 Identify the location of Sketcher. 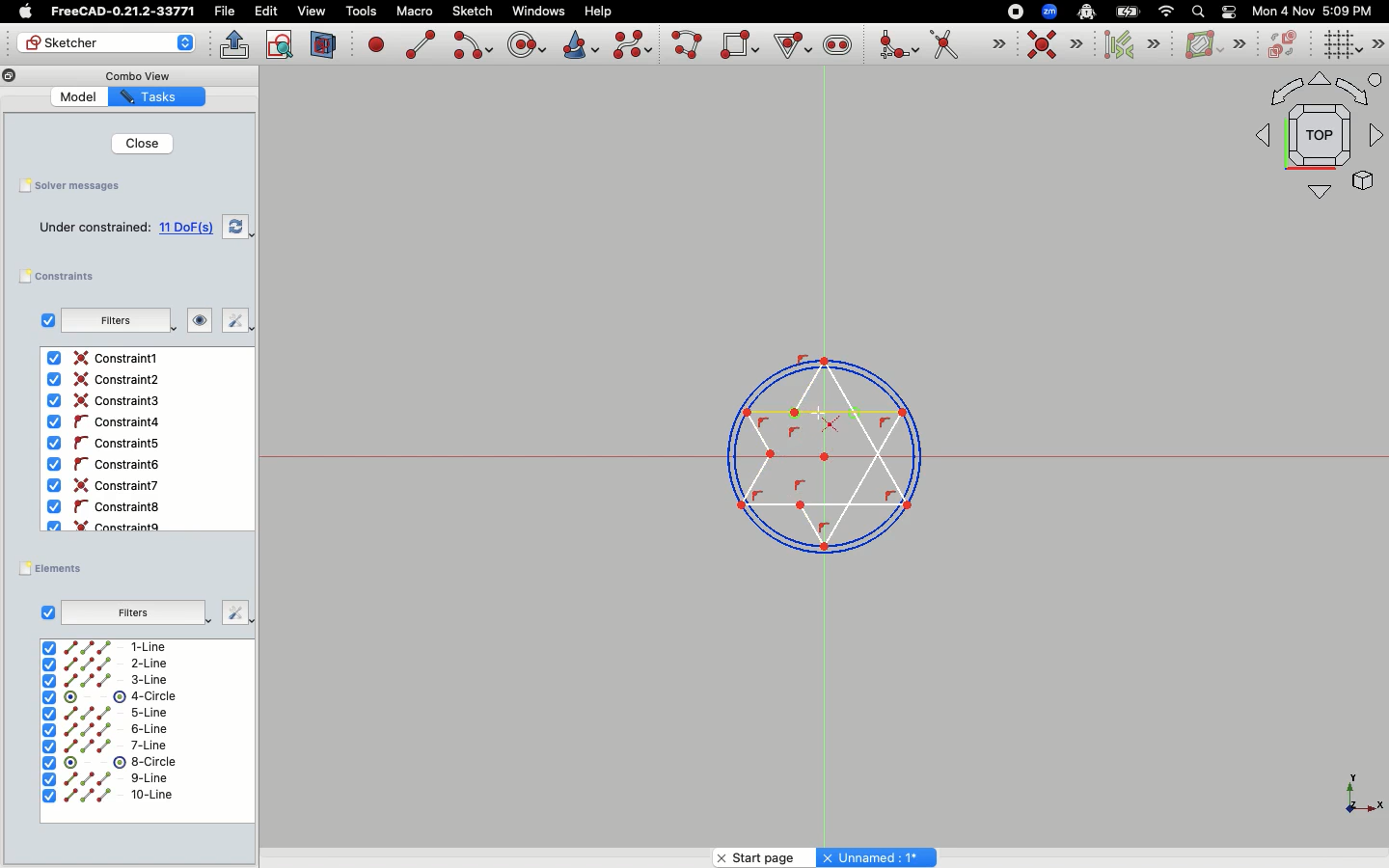
(110, 42).